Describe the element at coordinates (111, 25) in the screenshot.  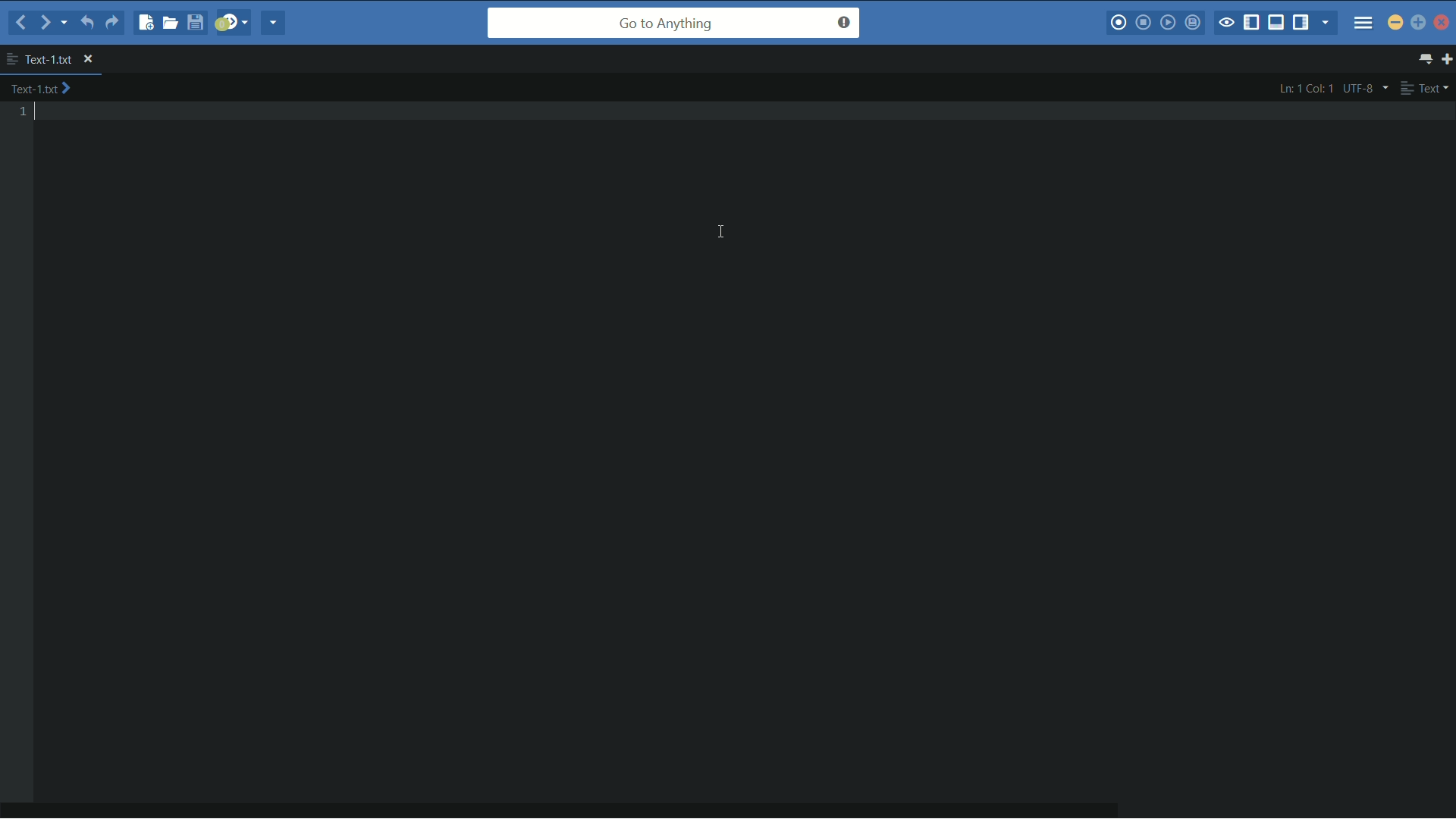
I see `redo` at that location.